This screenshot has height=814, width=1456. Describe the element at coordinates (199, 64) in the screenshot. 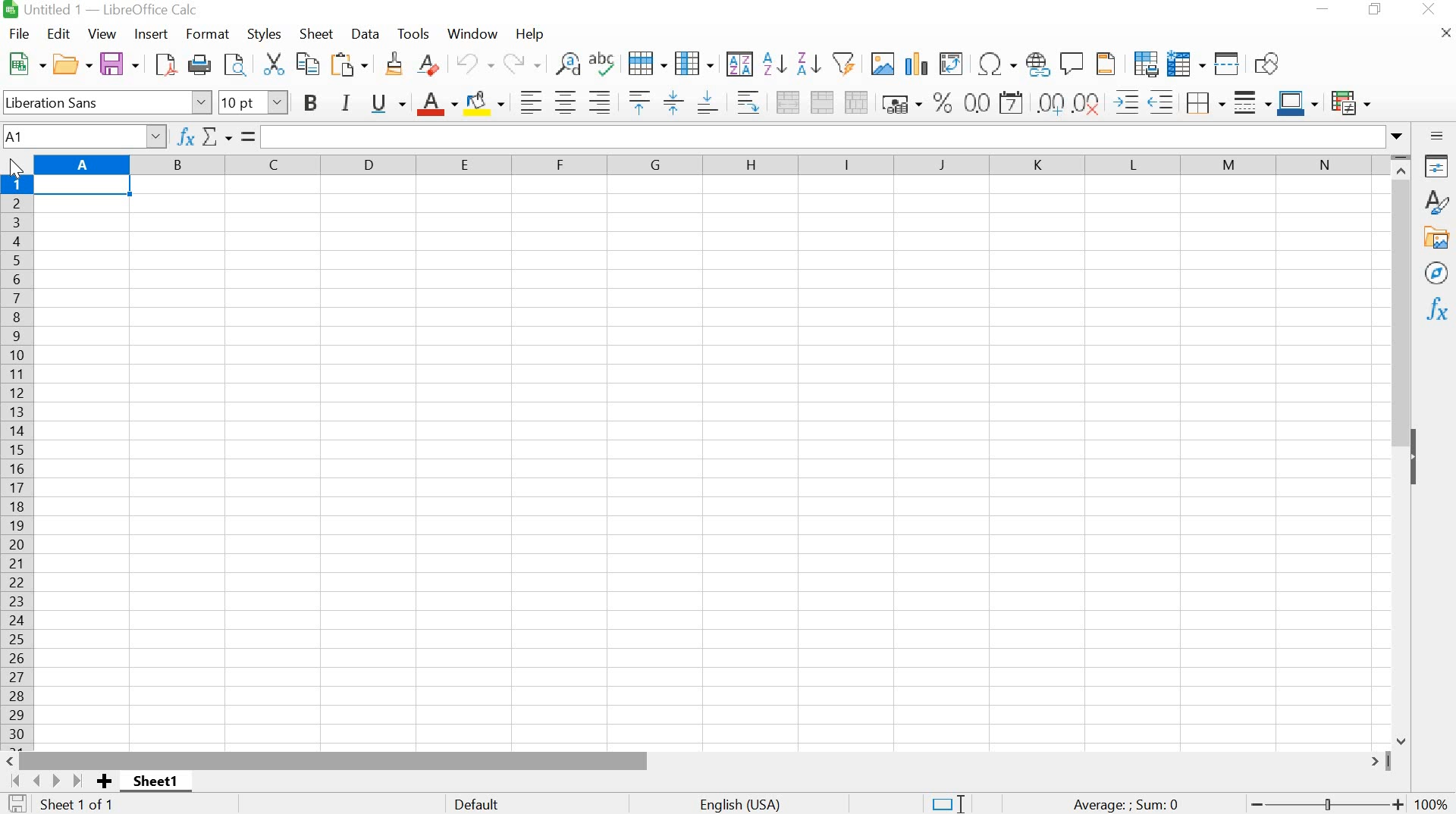

I see `Print` at that location.